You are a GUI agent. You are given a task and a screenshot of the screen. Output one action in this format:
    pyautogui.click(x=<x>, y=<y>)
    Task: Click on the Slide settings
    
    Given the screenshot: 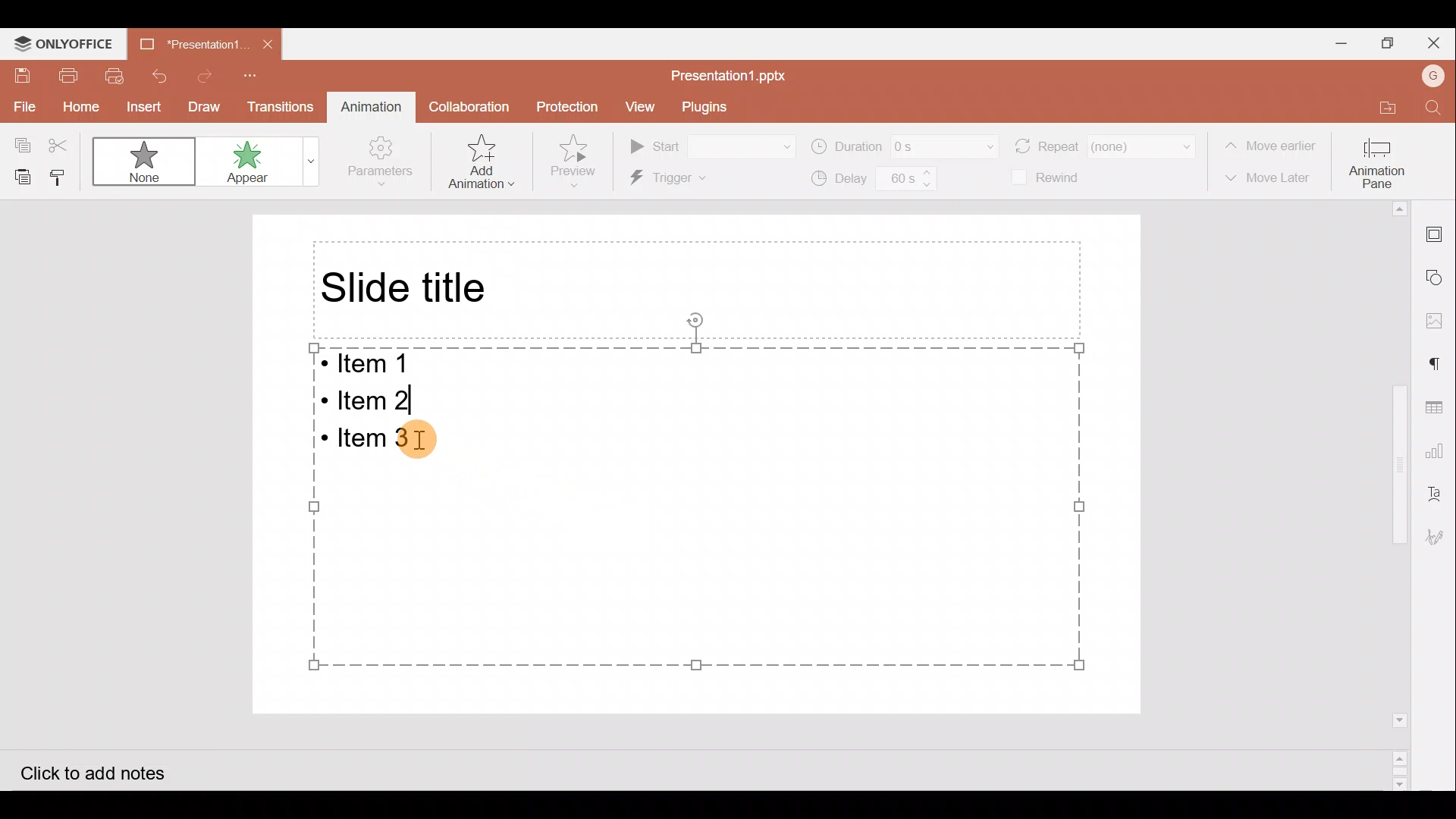 What is the action you would take?
    pyautogui.click(x=1442, y=237)
    